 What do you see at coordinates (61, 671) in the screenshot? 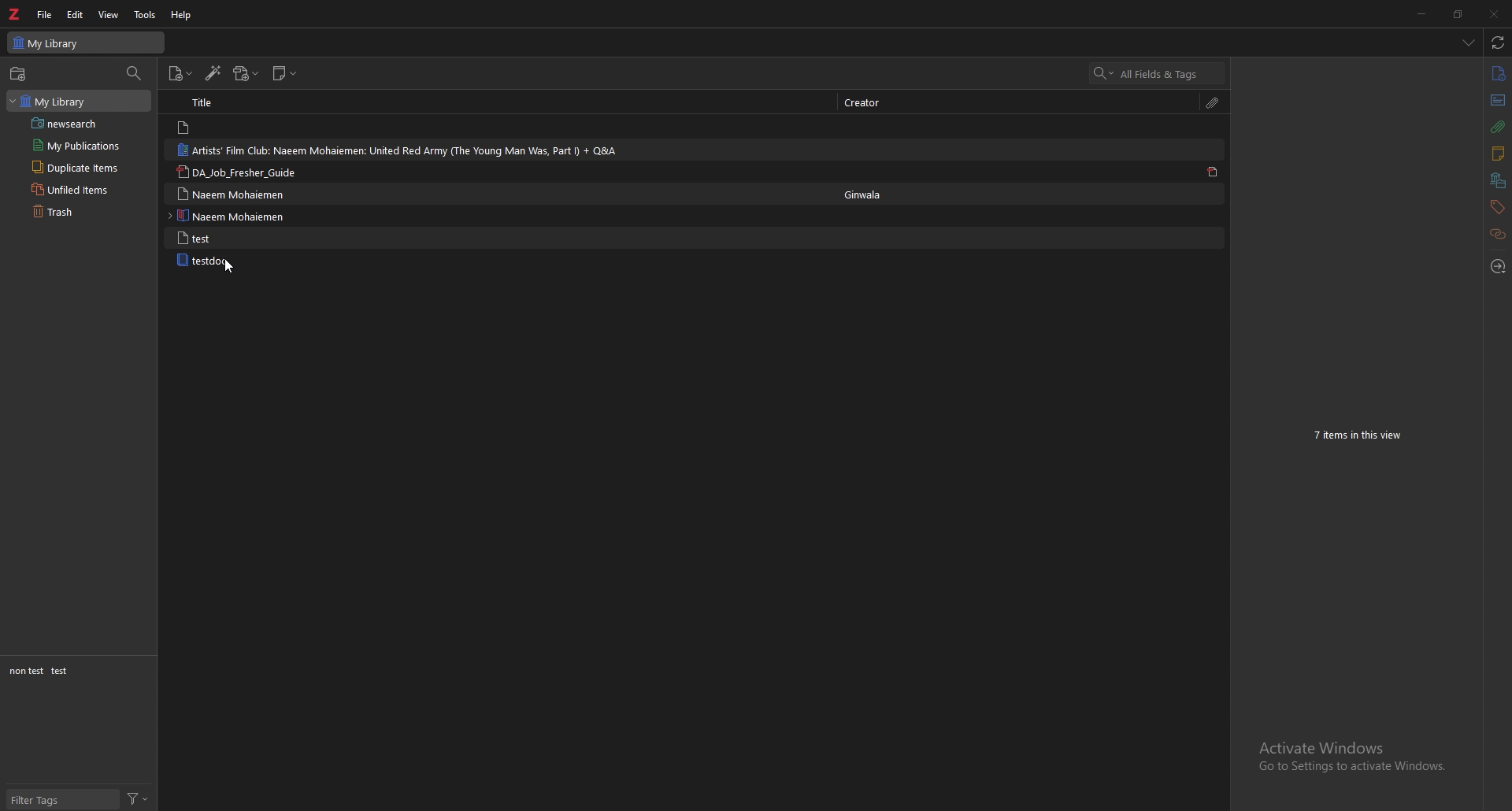
I see `test` at bounding box center [61, 671].